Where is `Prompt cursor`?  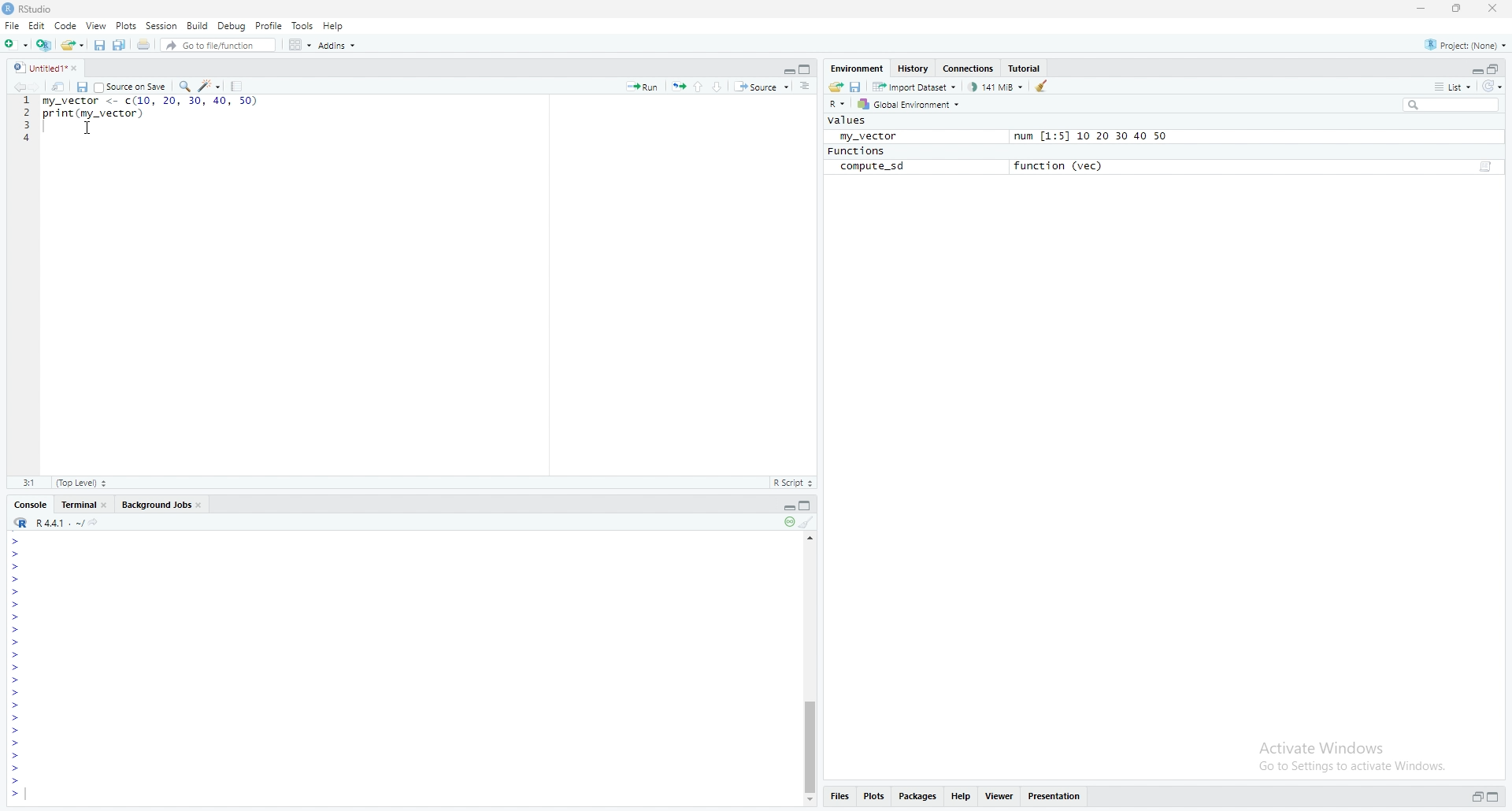
Prompt cursor is located at coordinates (18, 719).